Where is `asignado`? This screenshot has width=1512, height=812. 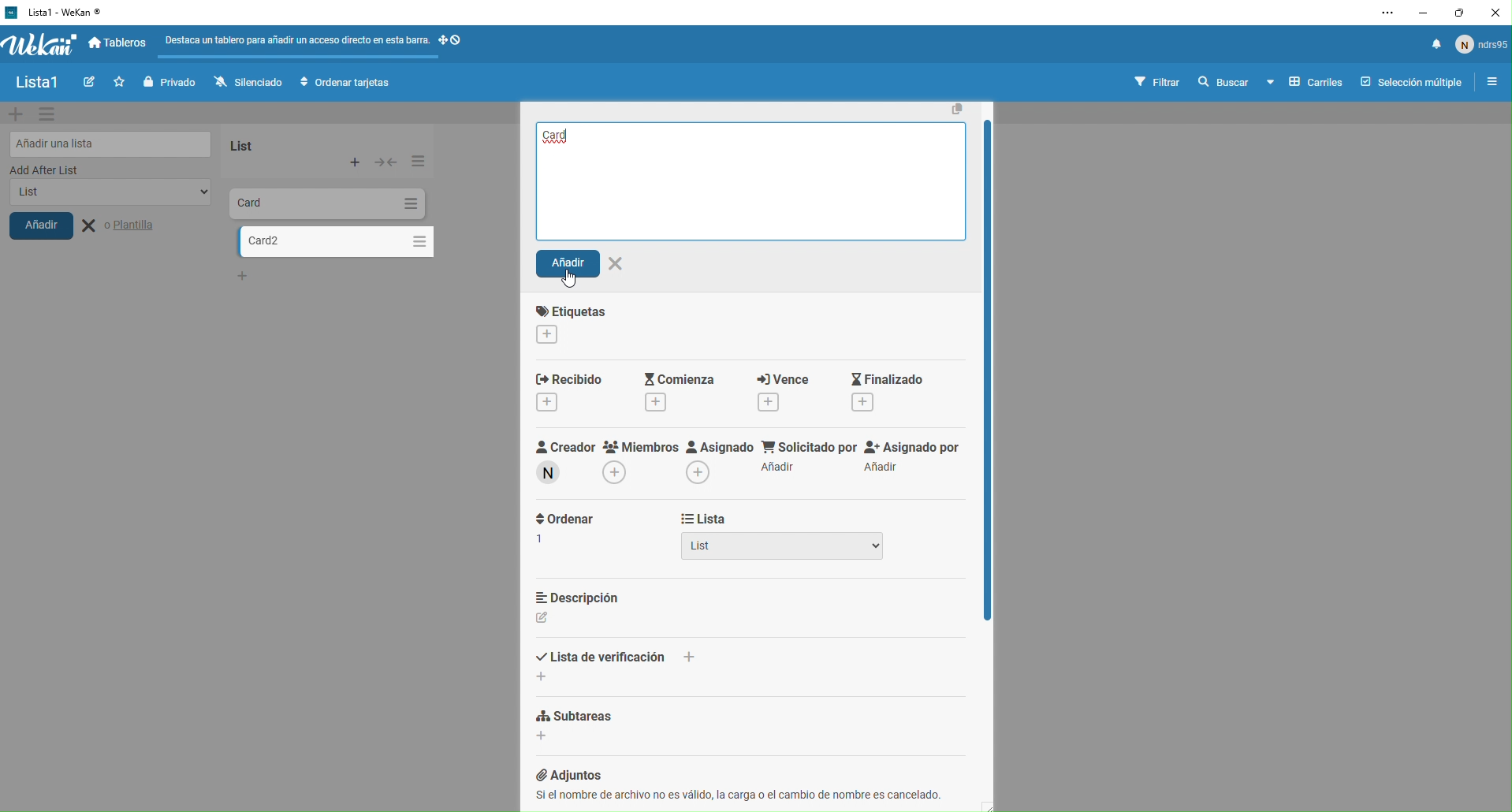
asignado is located at coordinates (717, 455).